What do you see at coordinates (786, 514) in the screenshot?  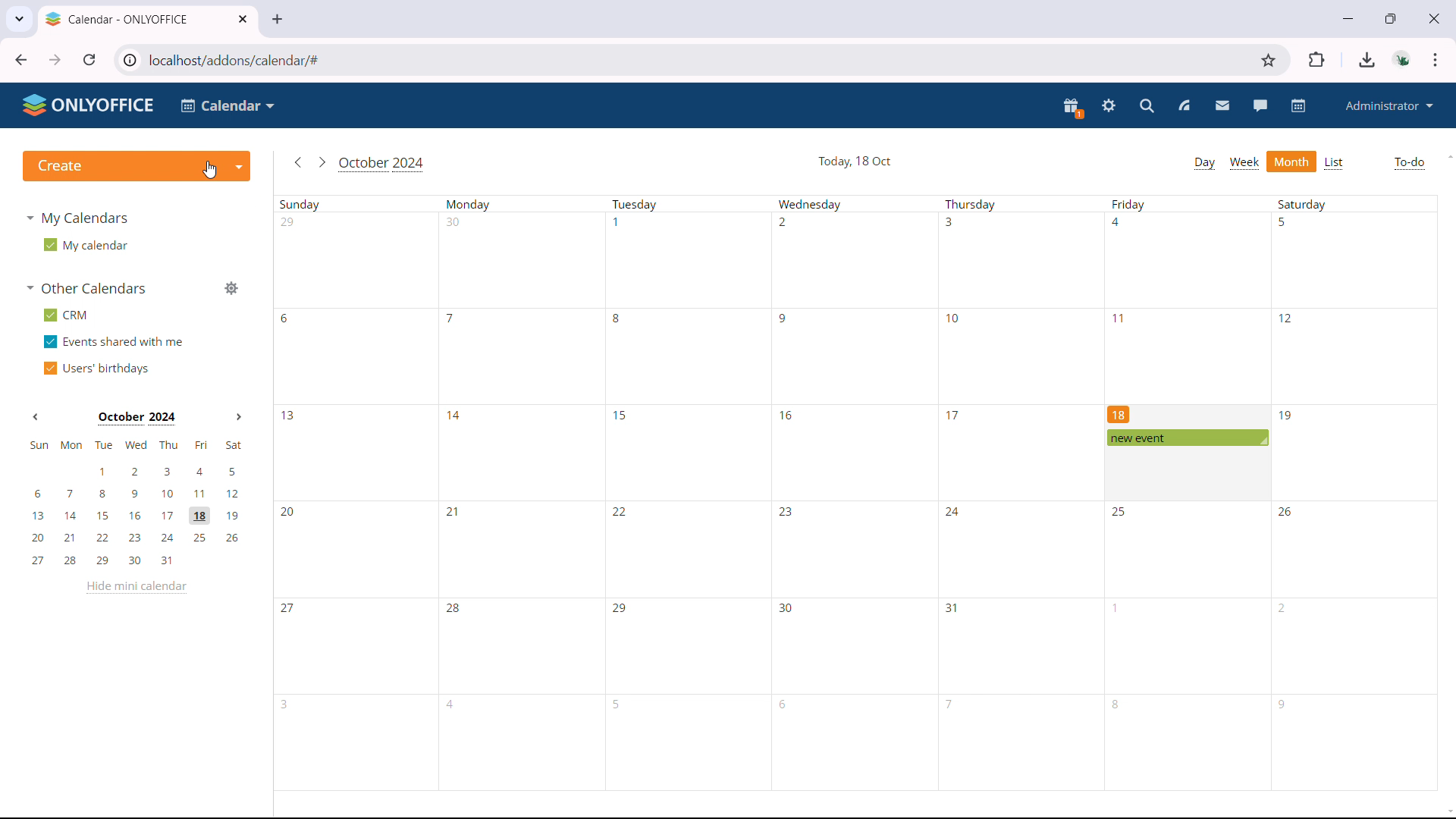 I see `23` at bounding box center [786, 514].